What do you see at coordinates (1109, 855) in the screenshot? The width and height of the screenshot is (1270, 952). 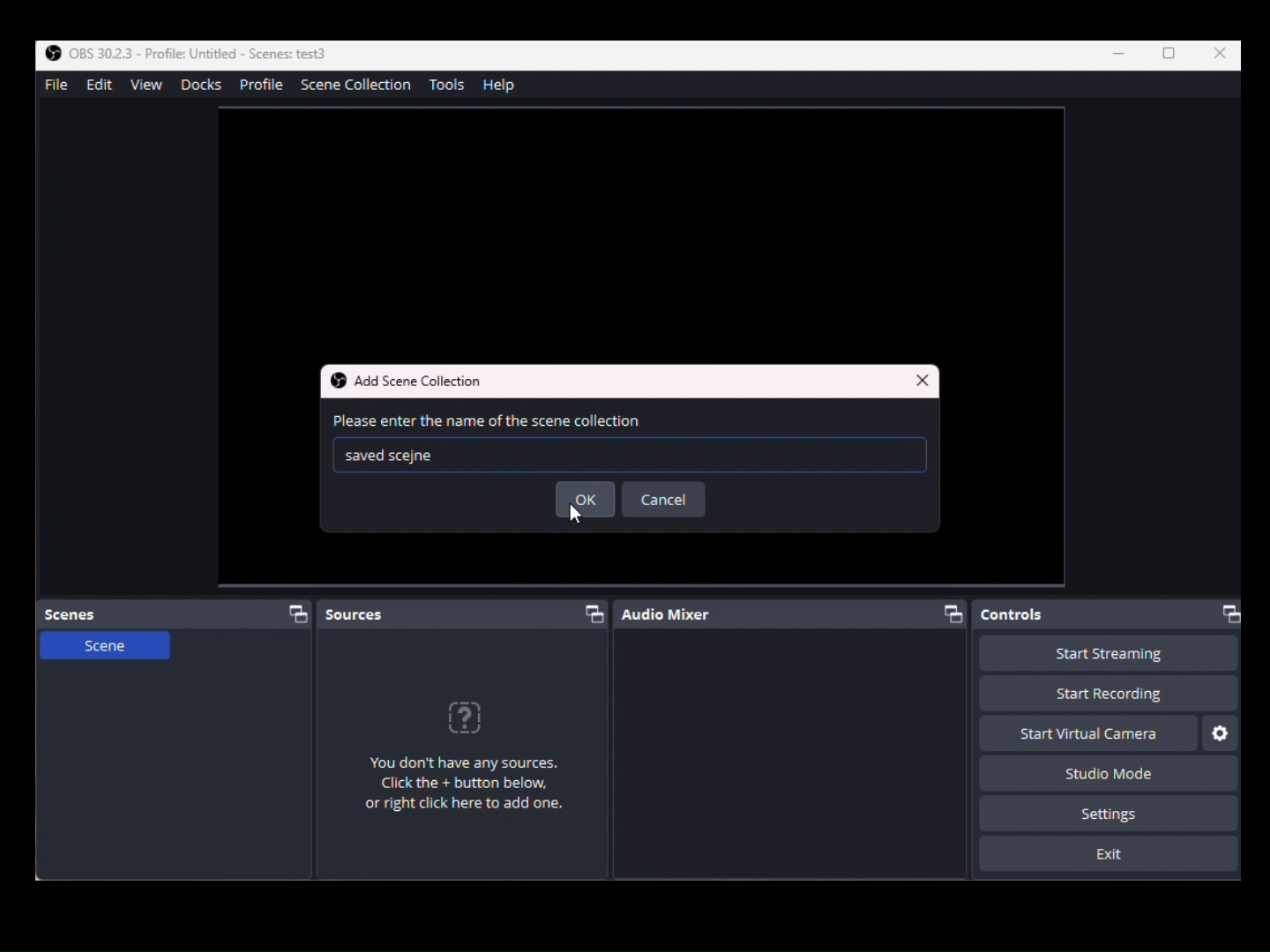 I see `Exit` at bounding box center [1109, 855].